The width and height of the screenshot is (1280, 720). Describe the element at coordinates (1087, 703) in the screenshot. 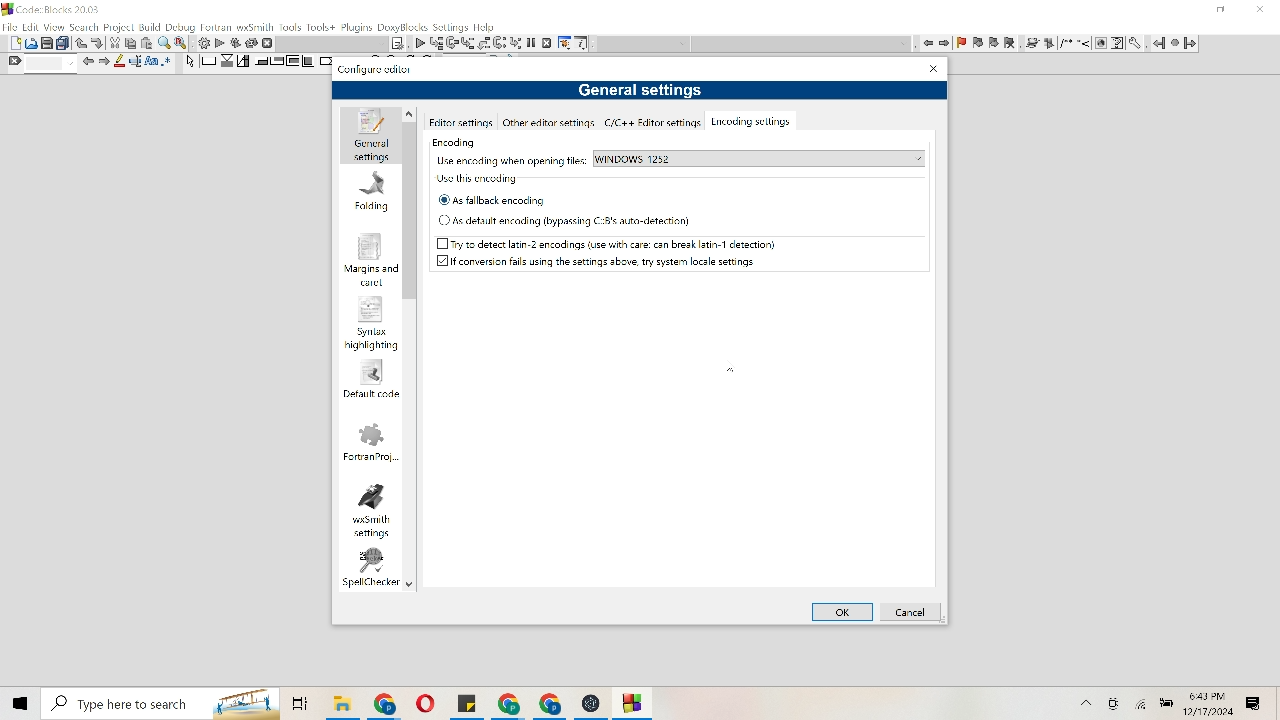

I see `More` at that location.